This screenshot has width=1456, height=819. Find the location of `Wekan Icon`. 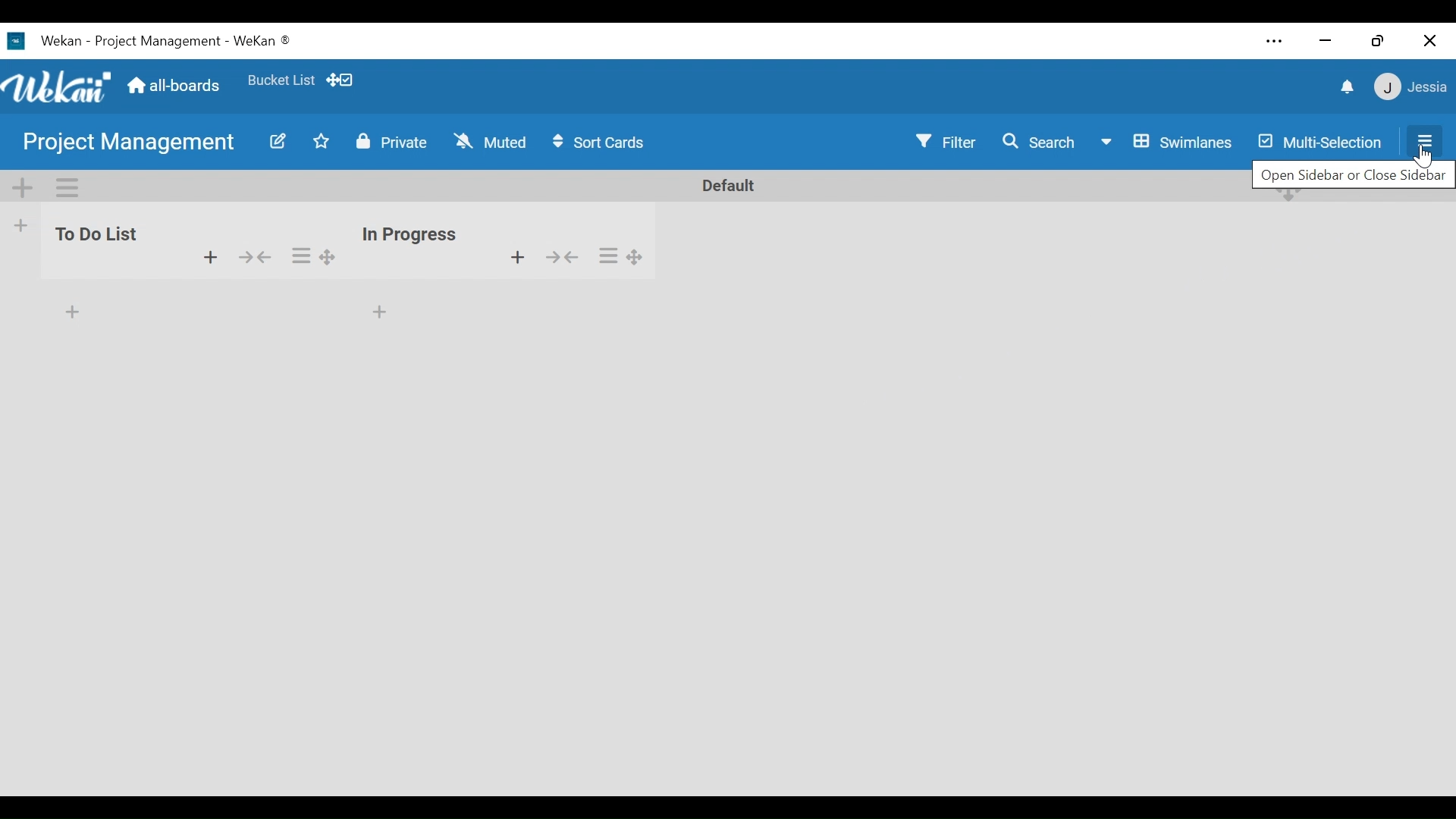

Wekan Icon is located at coordinates (61, 86).